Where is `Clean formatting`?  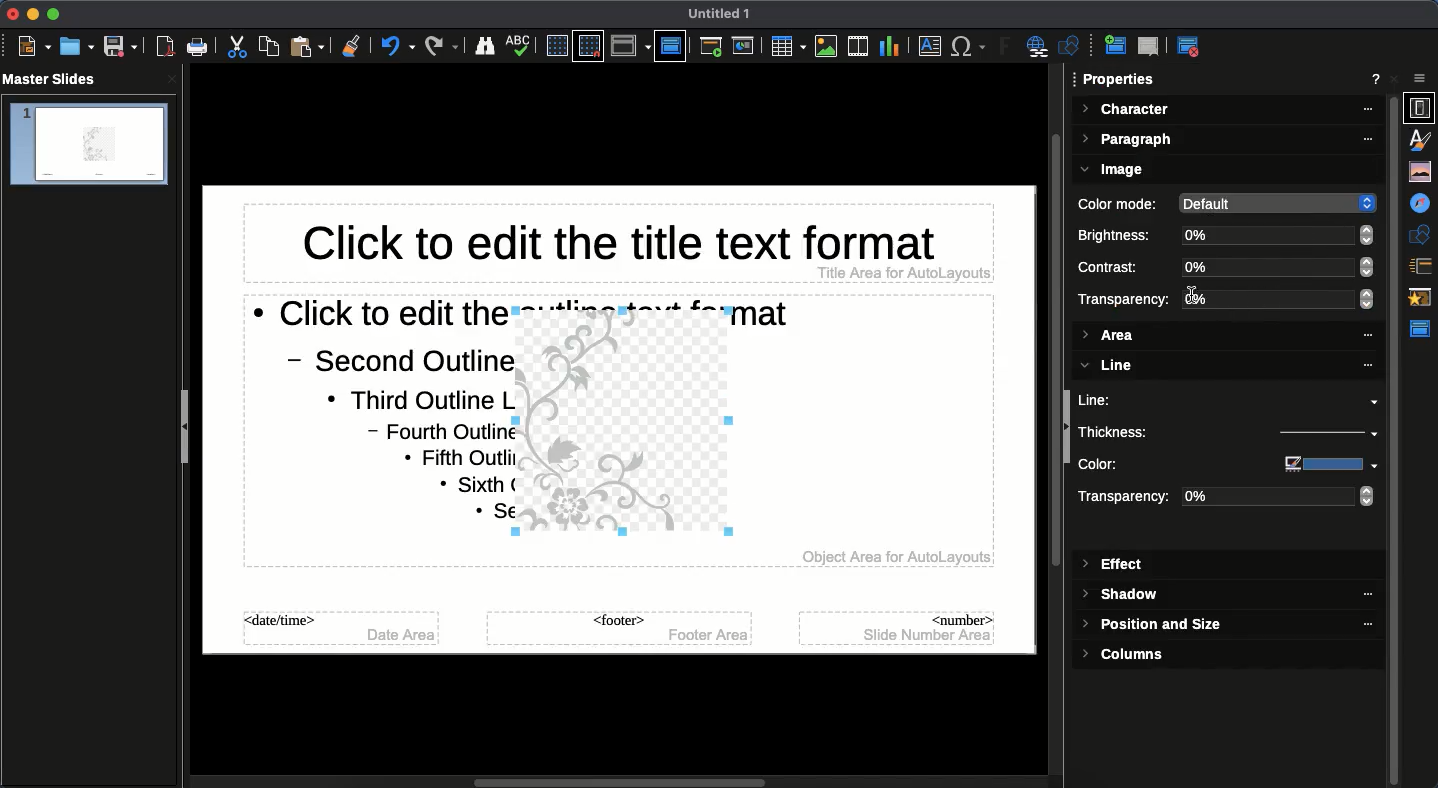 Clean formatting is located at coordinates (351, 46).